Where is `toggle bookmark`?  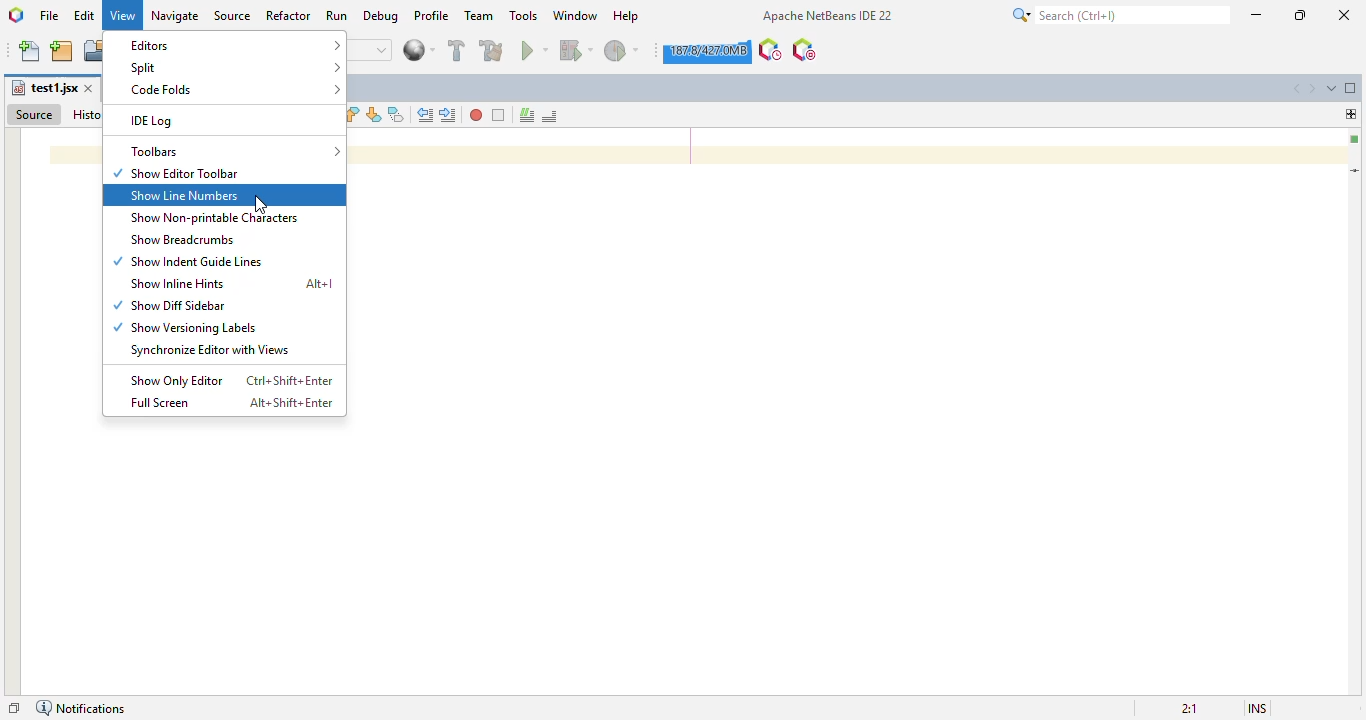 toggle bookmark is located at coordinates (397, 114).